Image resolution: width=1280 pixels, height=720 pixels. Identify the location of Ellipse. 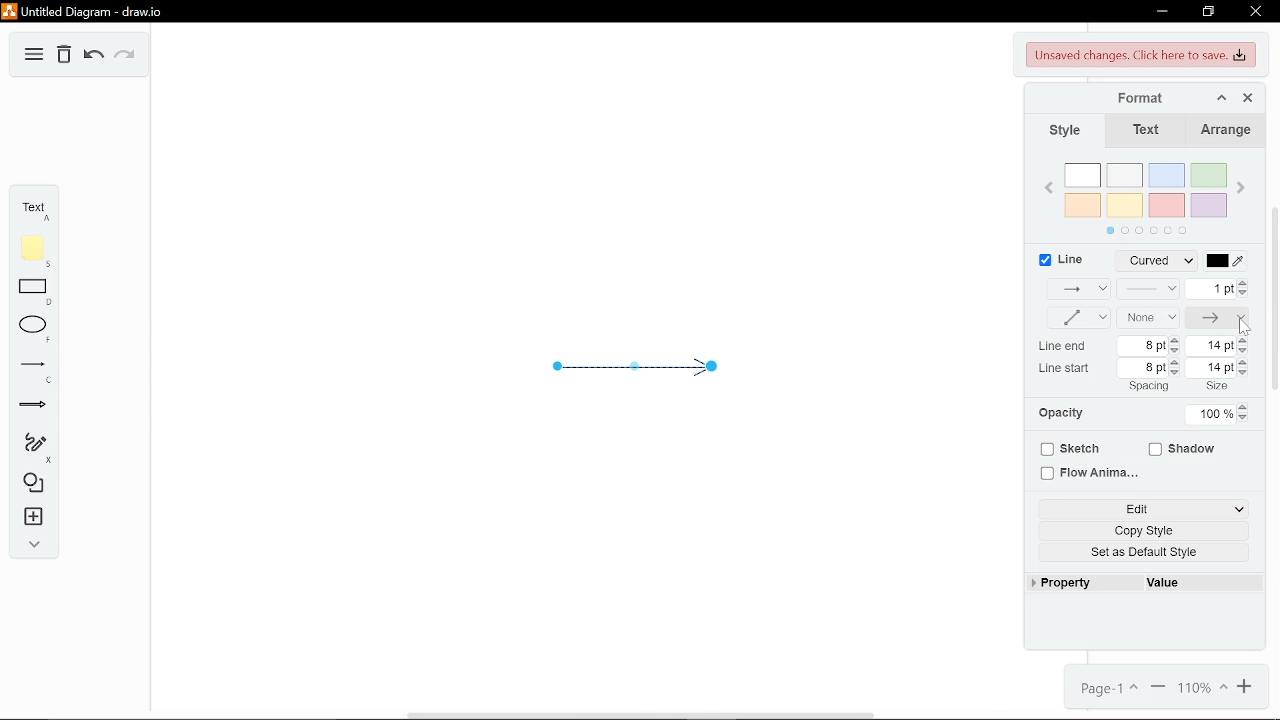
(35, 331).